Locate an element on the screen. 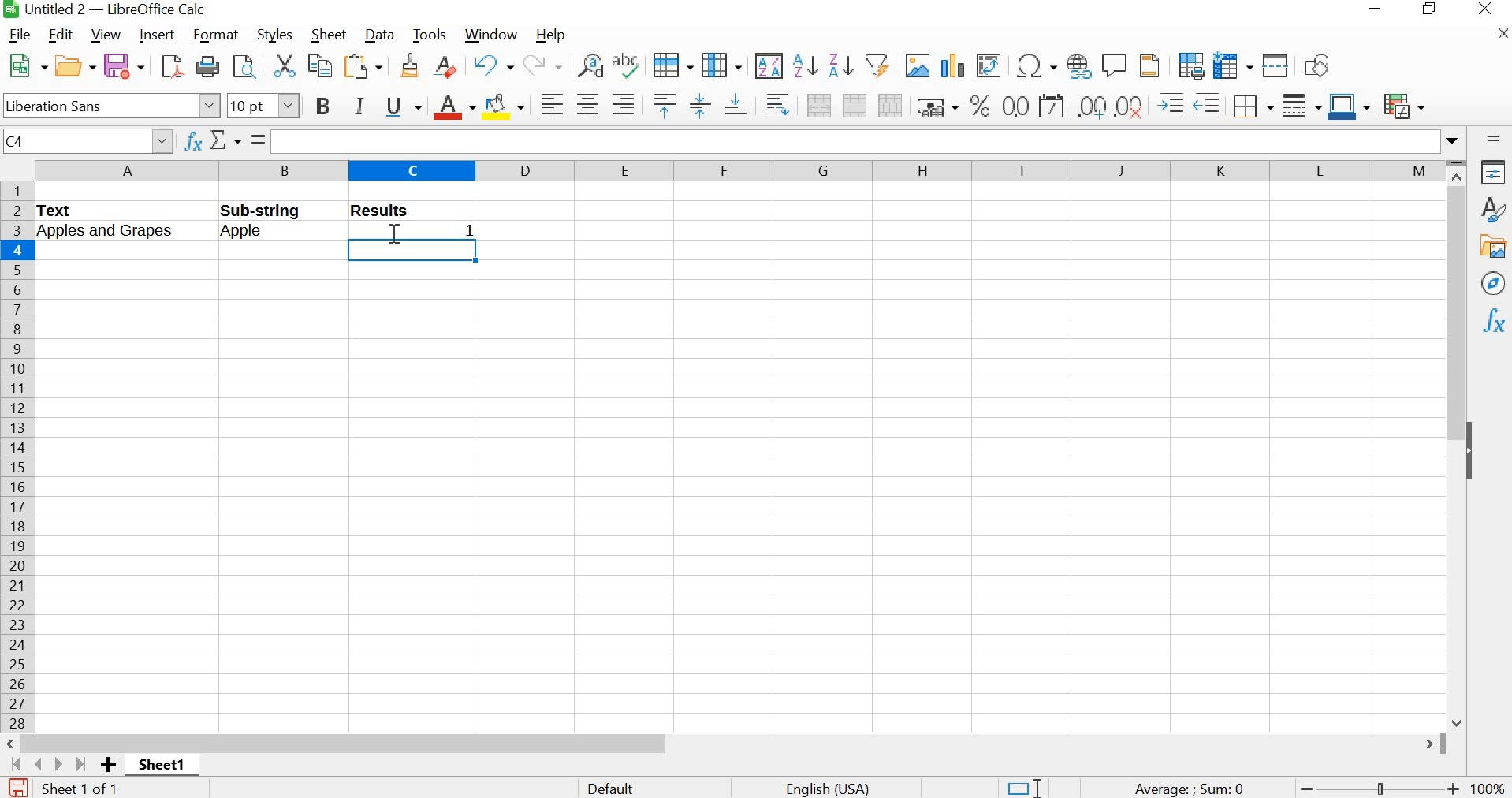 The width and height of the screenshot is (1512, 798). cut is located at coordinates (283, 65).